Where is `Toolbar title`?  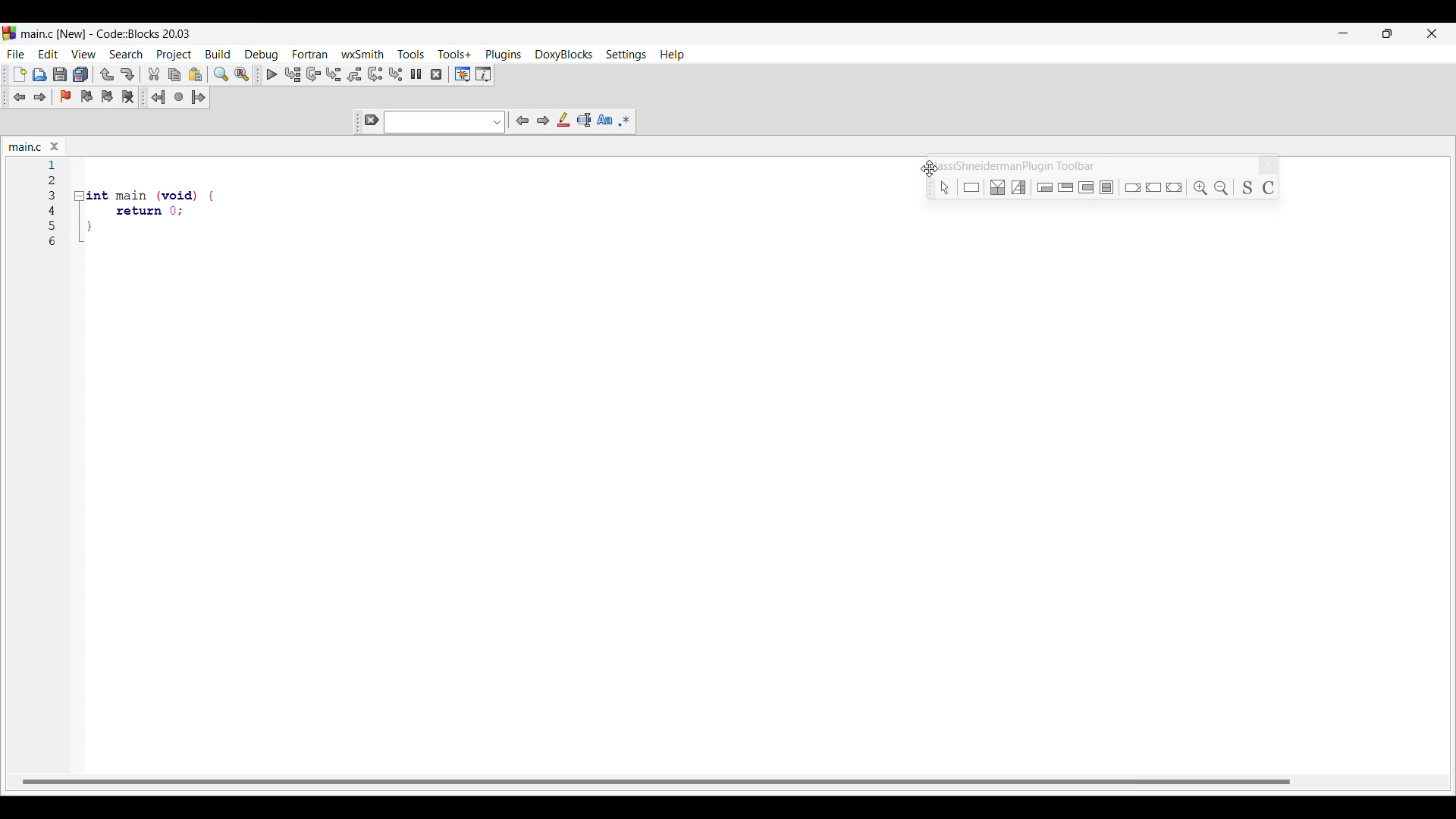 Toolbar title is located at coordinates (1009, 165).